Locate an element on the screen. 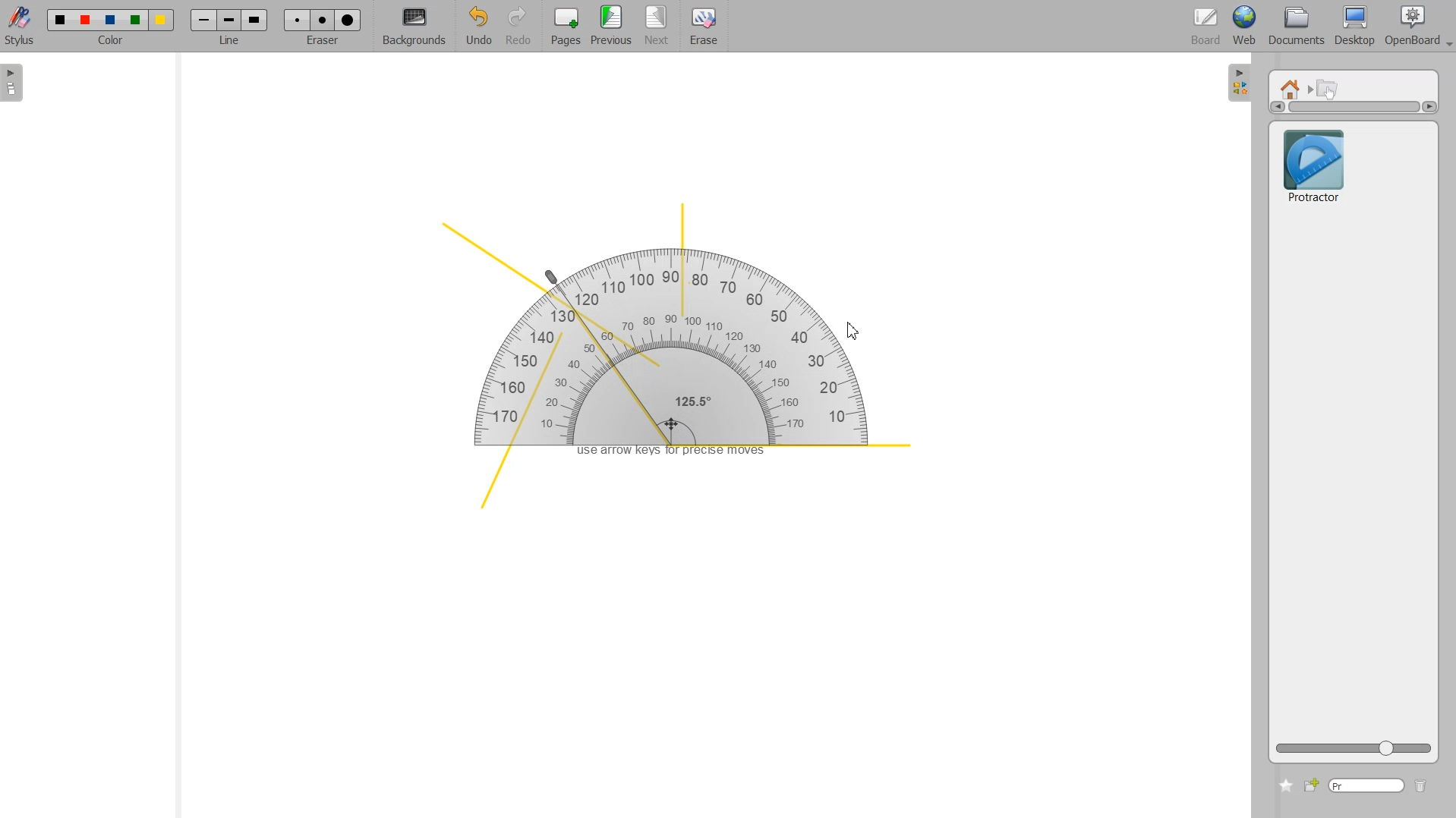  Line is located at coordinates (229, 20).